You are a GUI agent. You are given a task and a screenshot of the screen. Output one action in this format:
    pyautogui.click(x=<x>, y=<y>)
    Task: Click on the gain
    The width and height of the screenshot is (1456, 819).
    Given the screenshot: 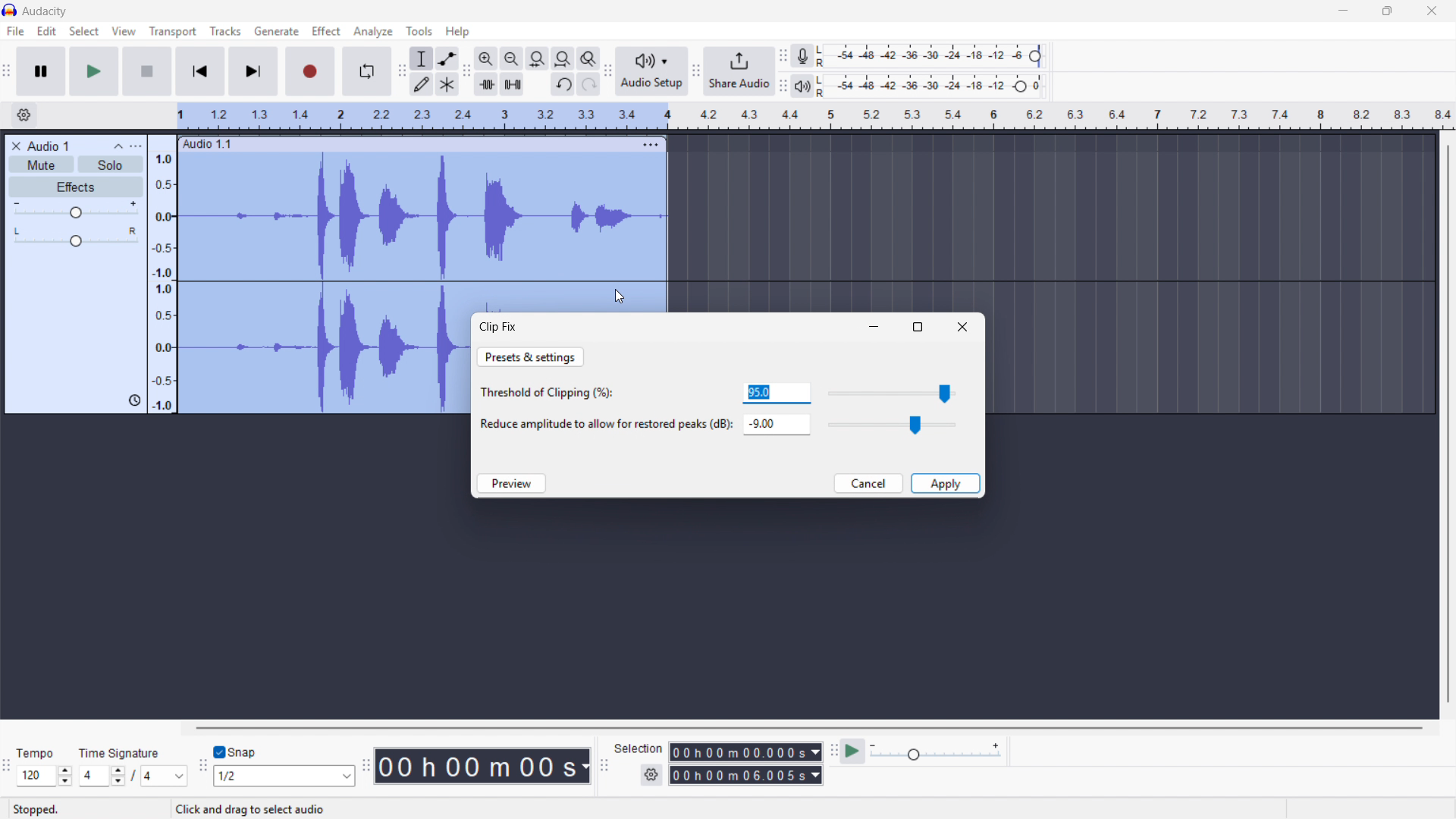 What is the action you would take?
    pyautogui.click(x=77, y=212)
    